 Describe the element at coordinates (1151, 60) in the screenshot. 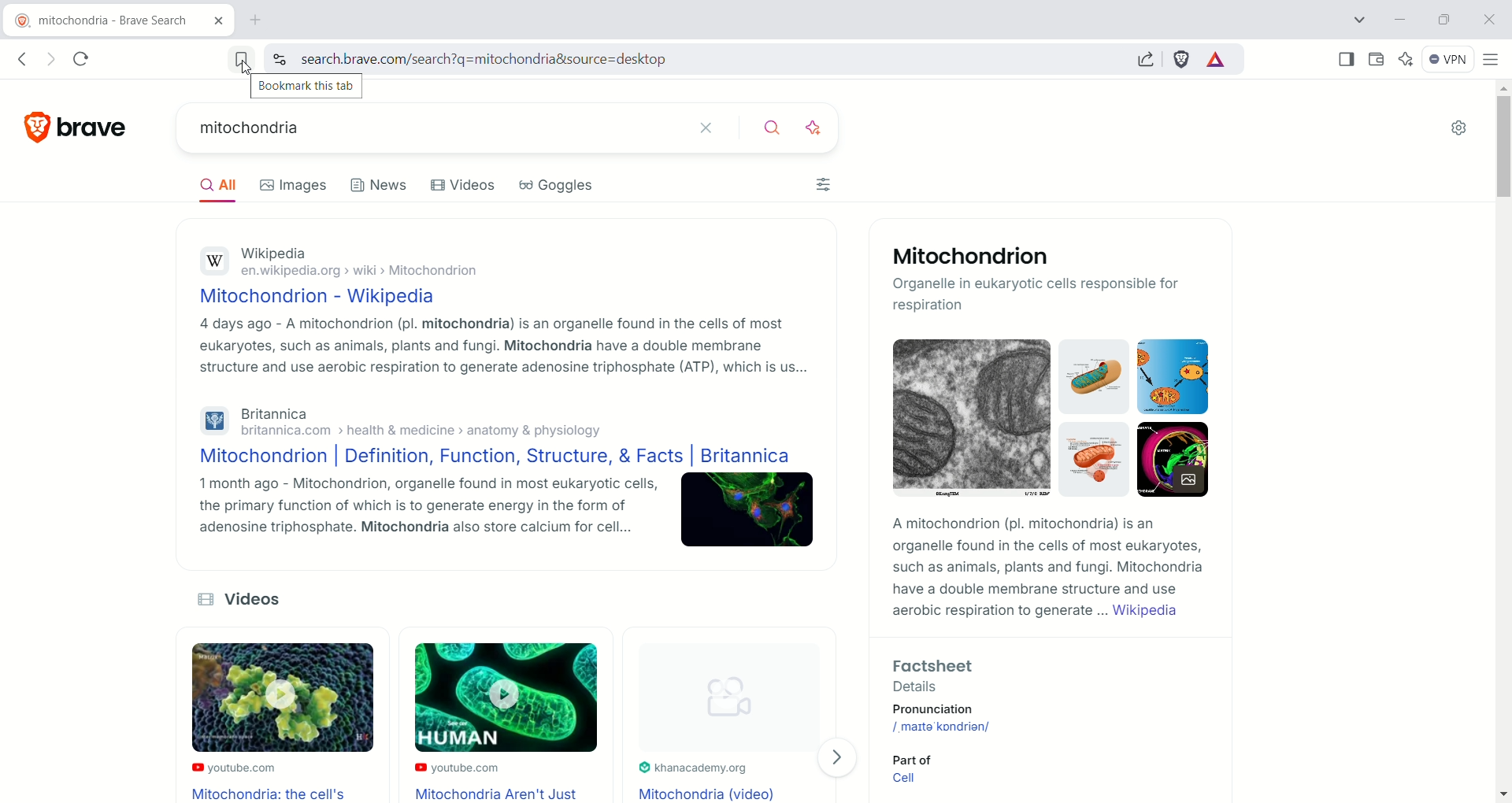

I see `share this page` at that location.